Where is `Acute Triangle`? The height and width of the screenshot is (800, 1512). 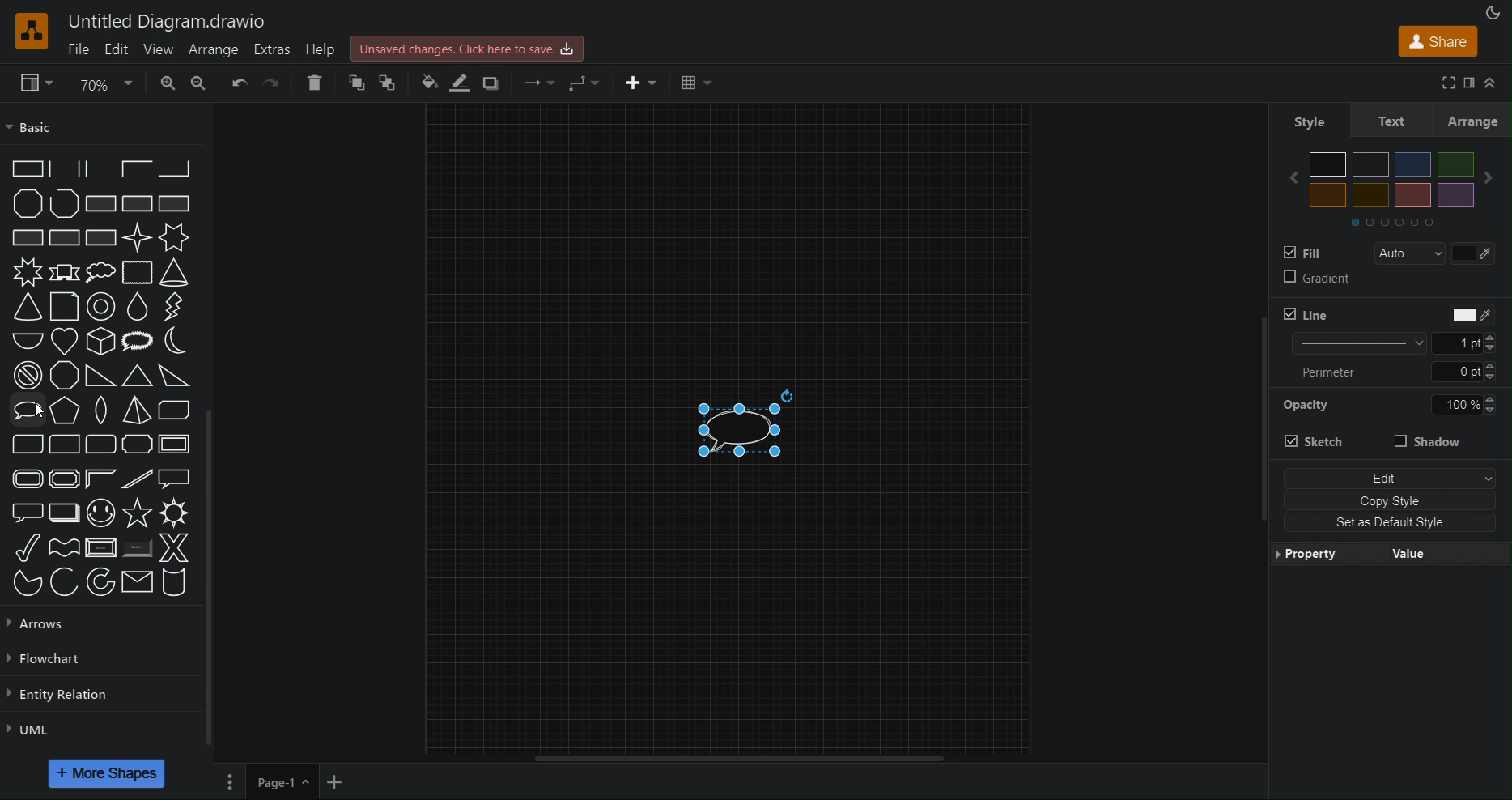 Acute Triangle is located at coordinates (136, 377).